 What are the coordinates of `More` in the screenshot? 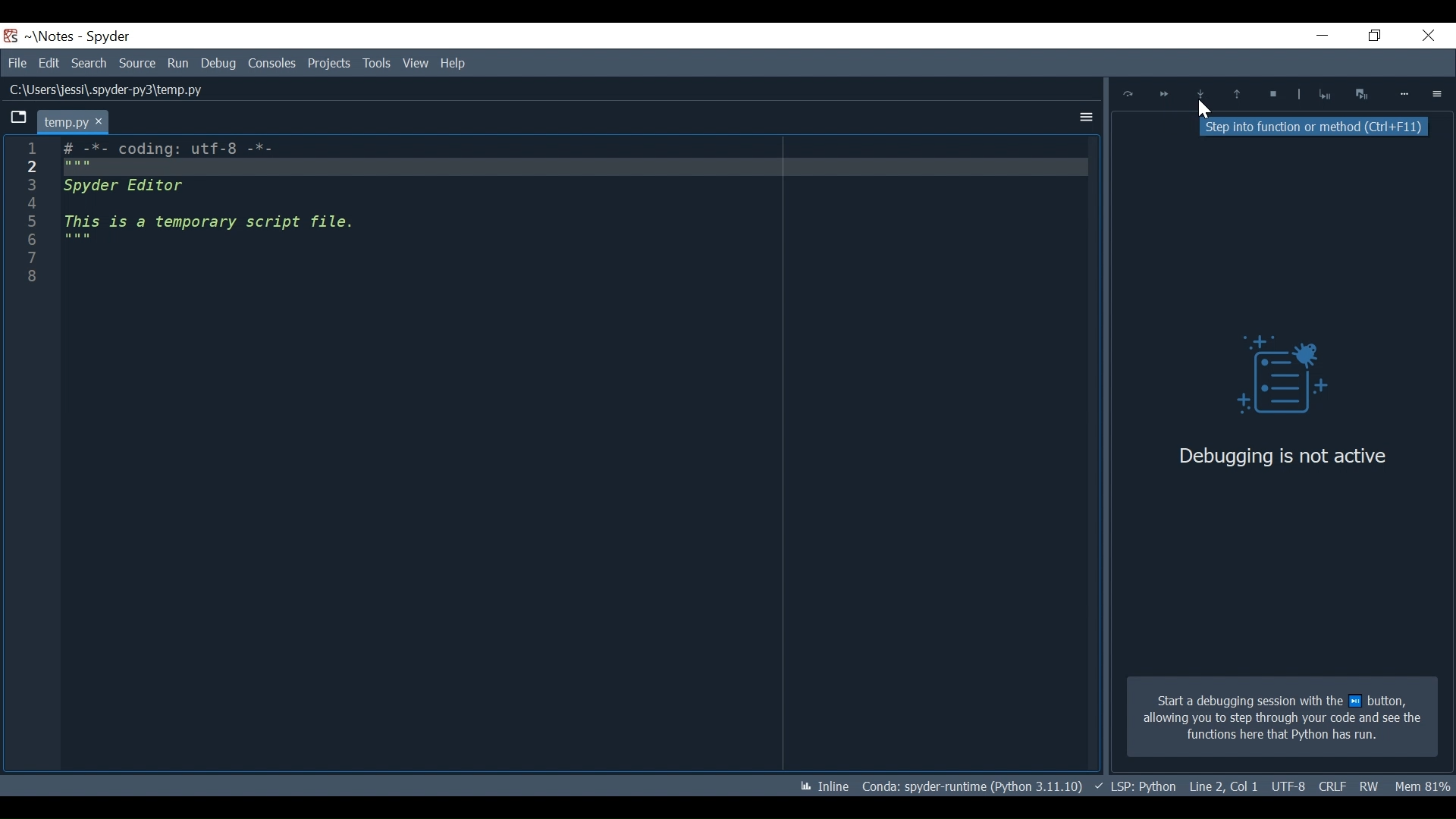 It's located at (1405, 94).